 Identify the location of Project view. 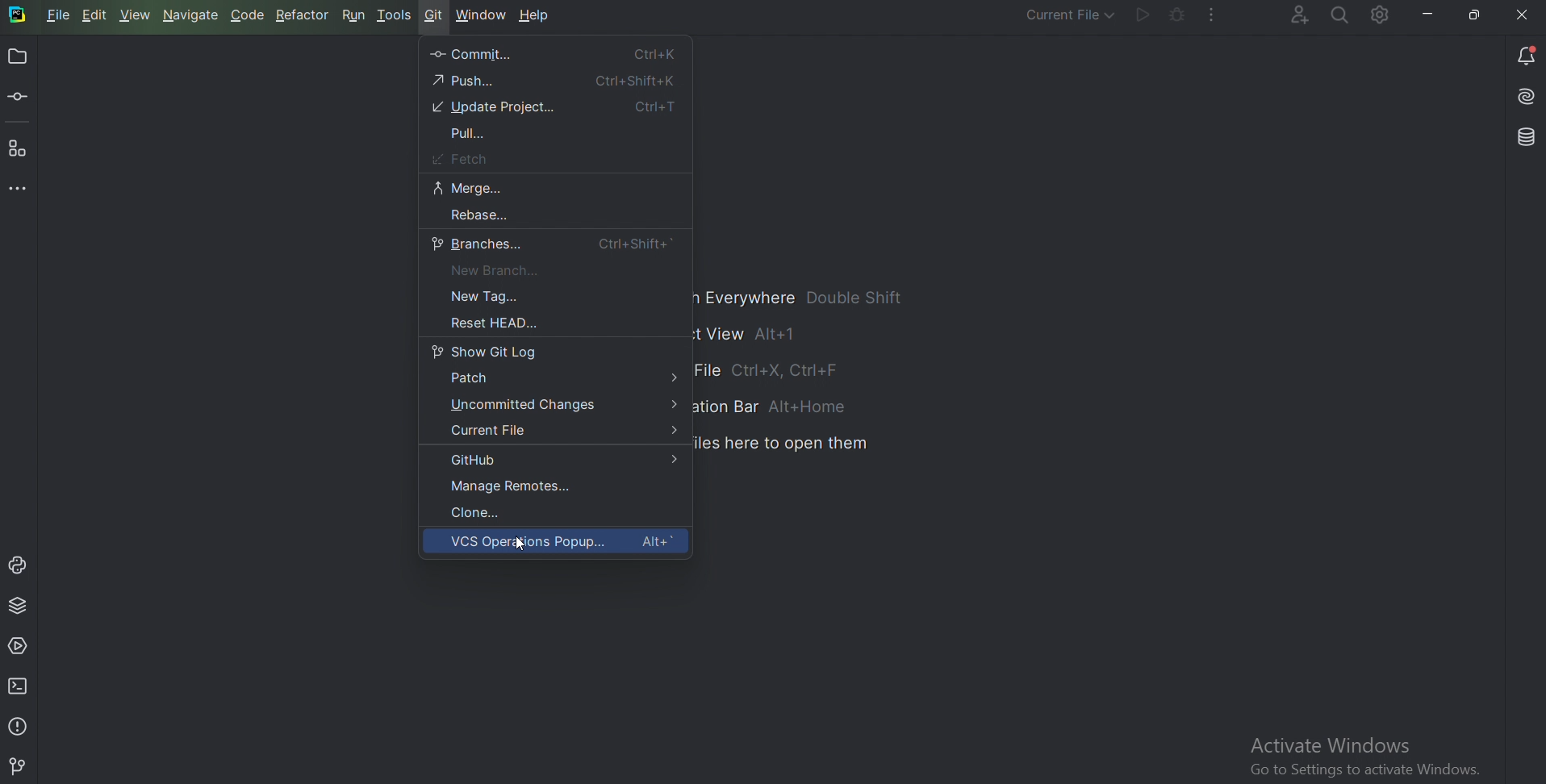
(757, 334).